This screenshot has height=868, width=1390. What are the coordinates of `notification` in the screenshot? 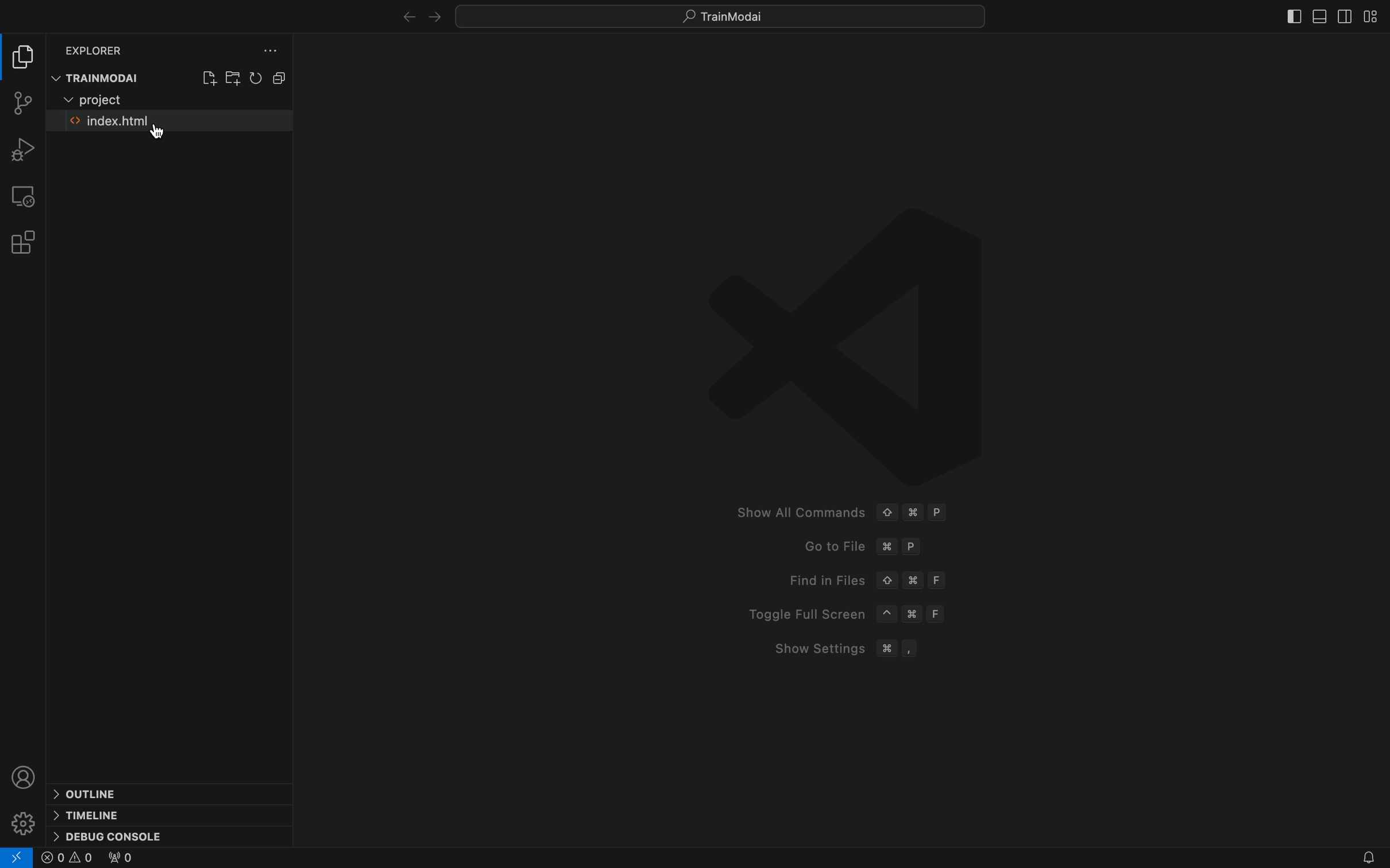 It's located at (1362, 858).